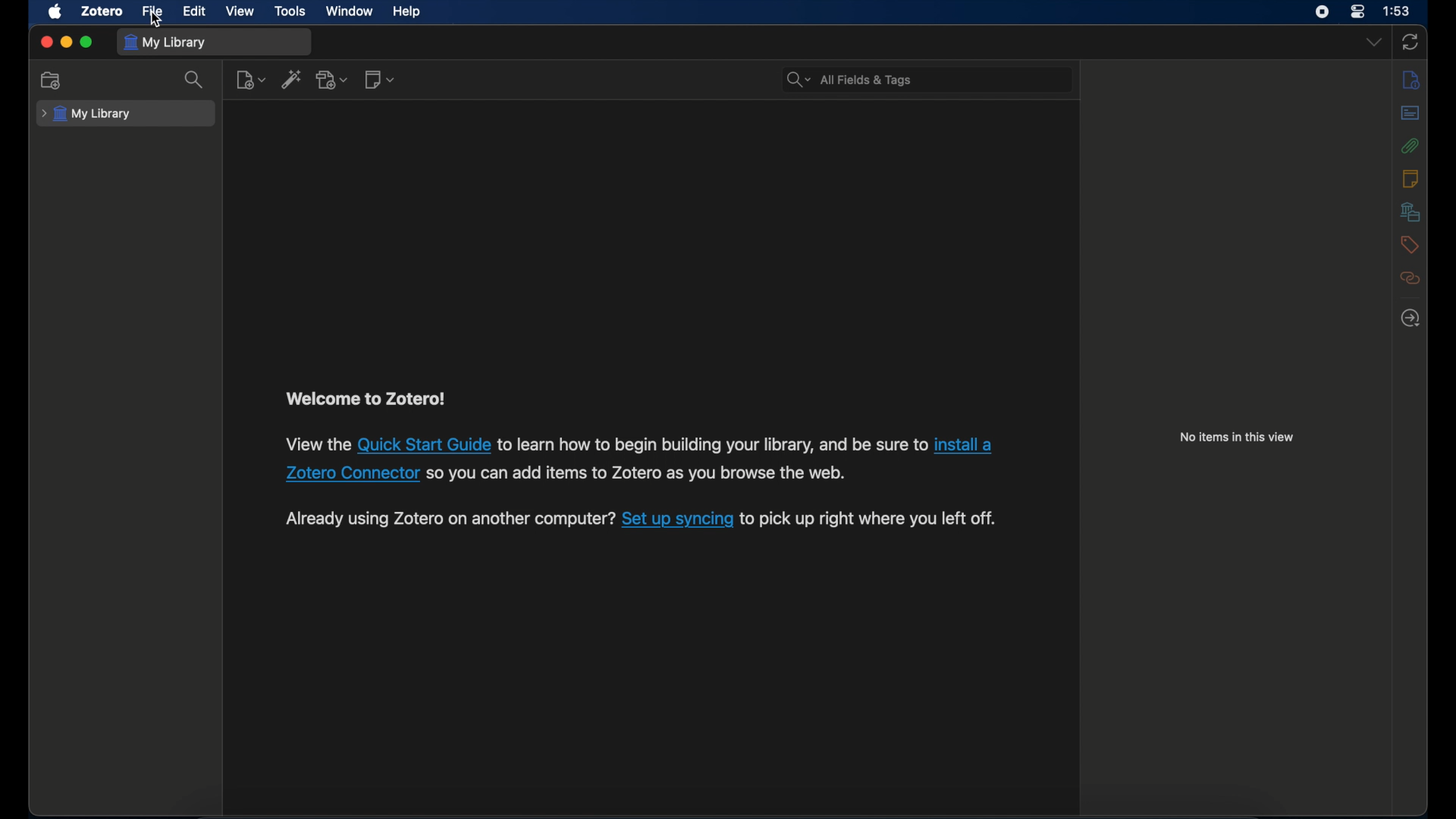 This screenshot has width=1456, height=819. Describe the element at coordinates (332, 79) in the screenshot. I see `add attachment` at that location.